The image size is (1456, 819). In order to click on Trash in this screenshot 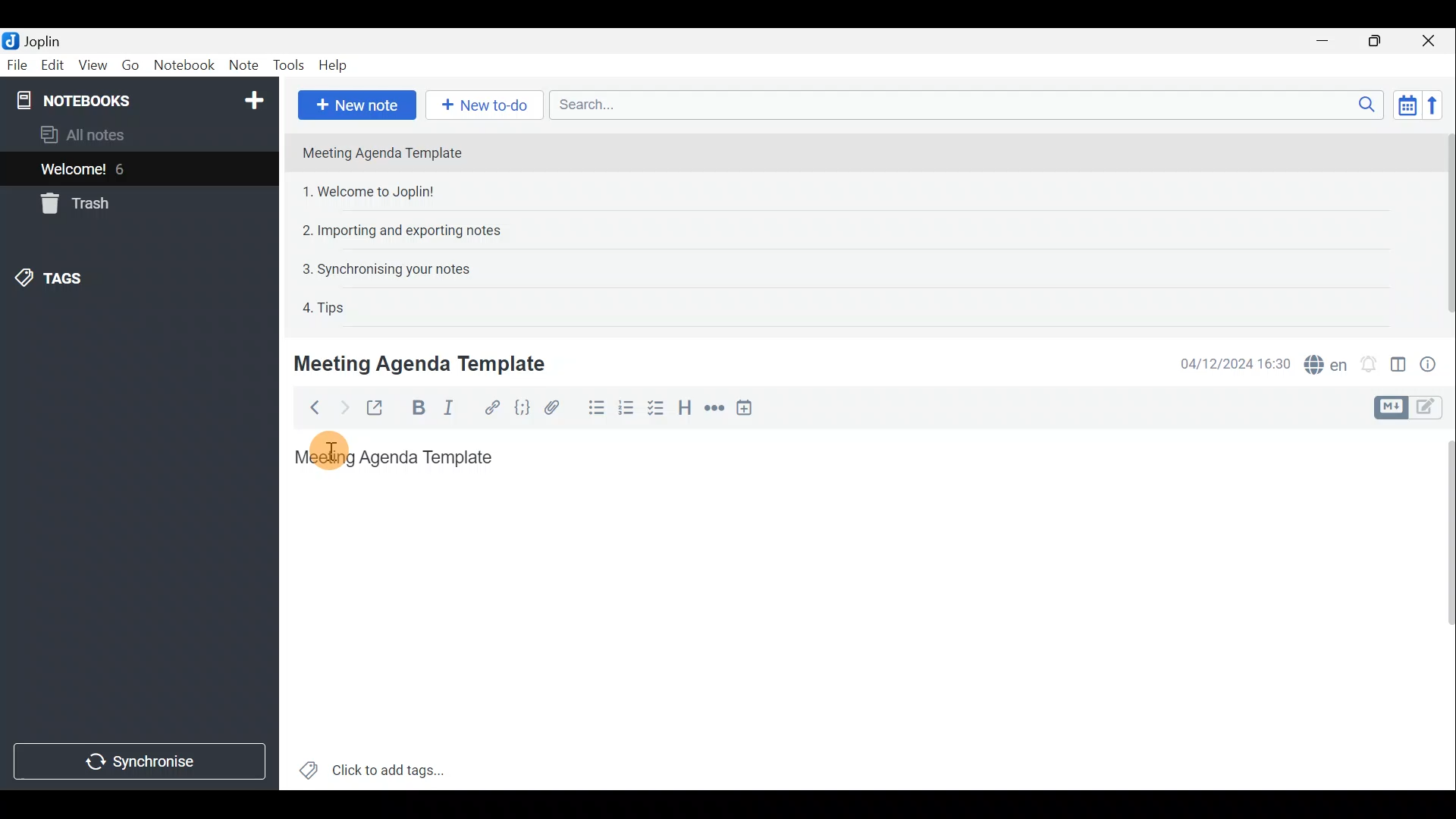, I will do `click(72, 203)`.